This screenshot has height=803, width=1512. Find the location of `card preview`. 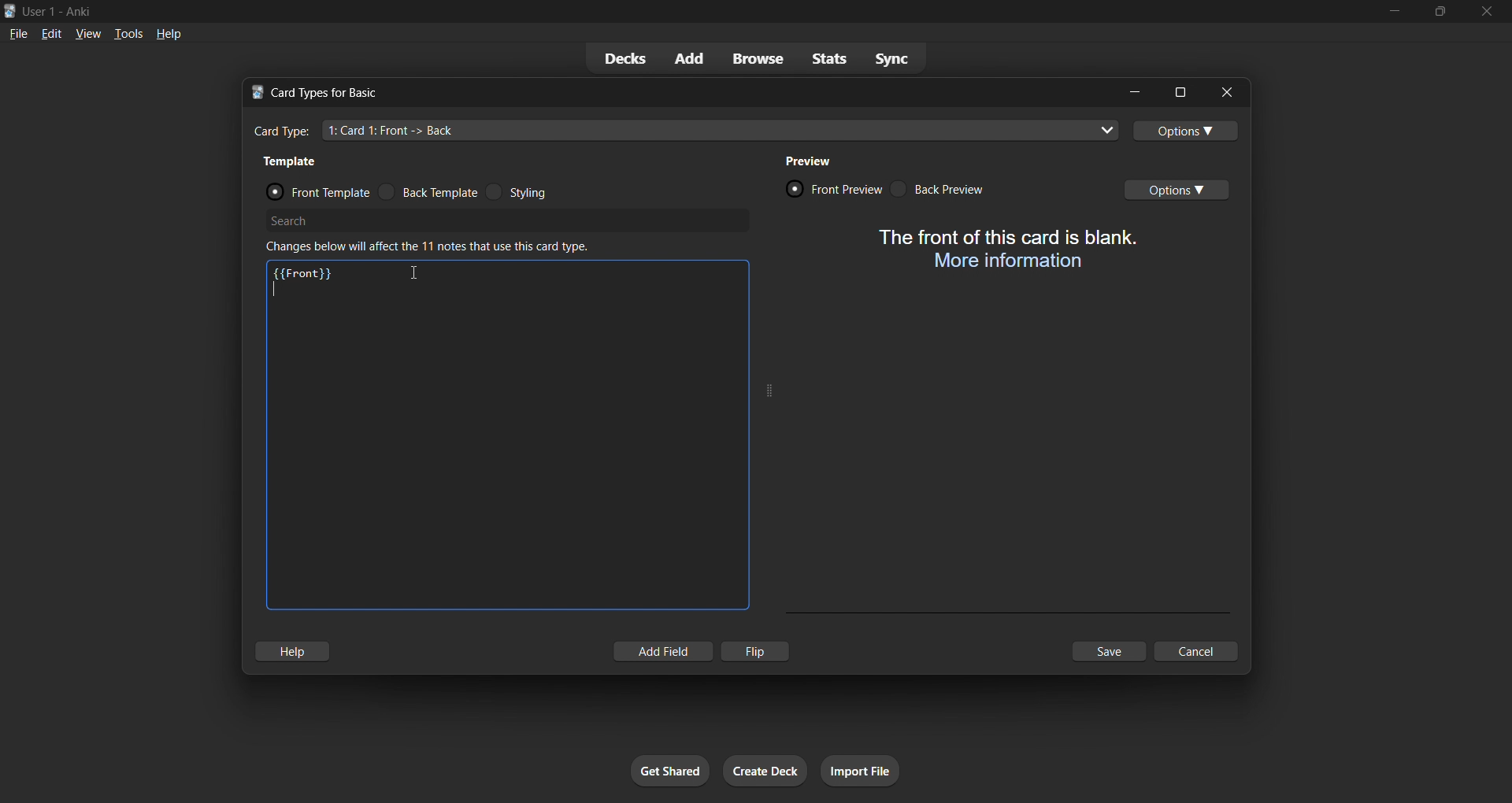

card preview is located at coordinates (1003, 250).